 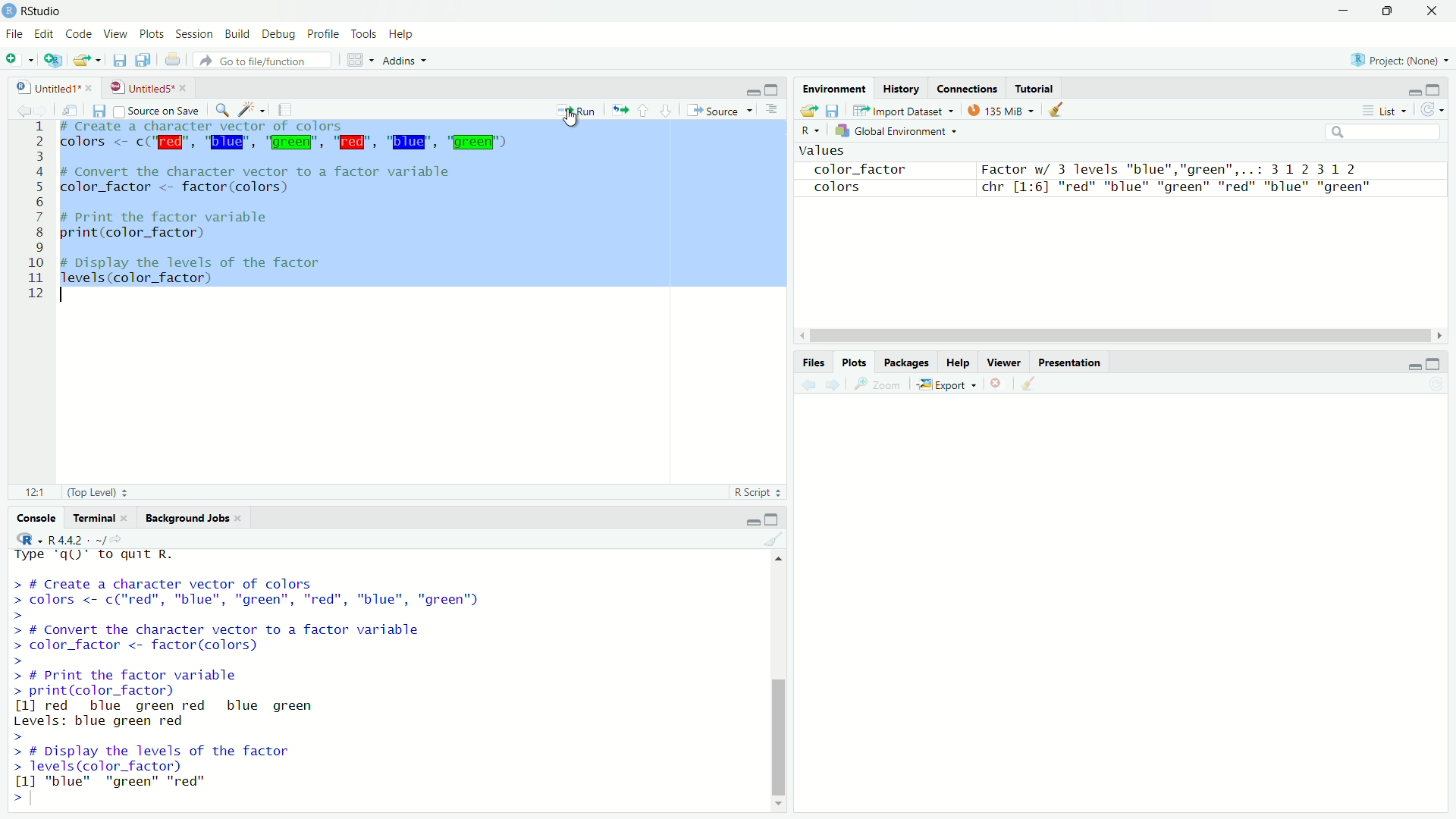 What do you see at coordinates (945, 385) in the screenshot?
I see `export` at bounding box center [945, 385].